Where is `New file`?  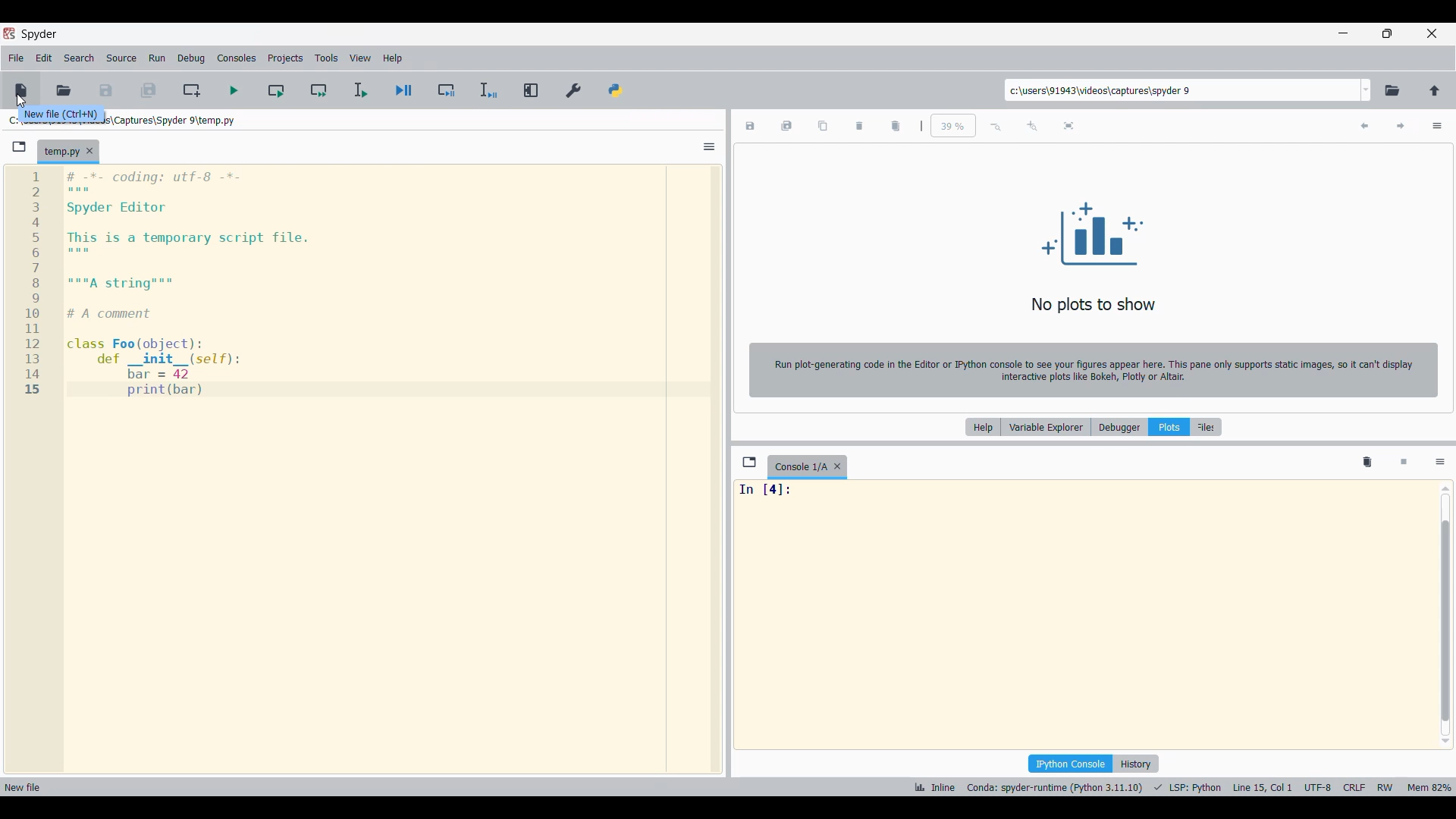 New file is located at coordinates (20, 89).